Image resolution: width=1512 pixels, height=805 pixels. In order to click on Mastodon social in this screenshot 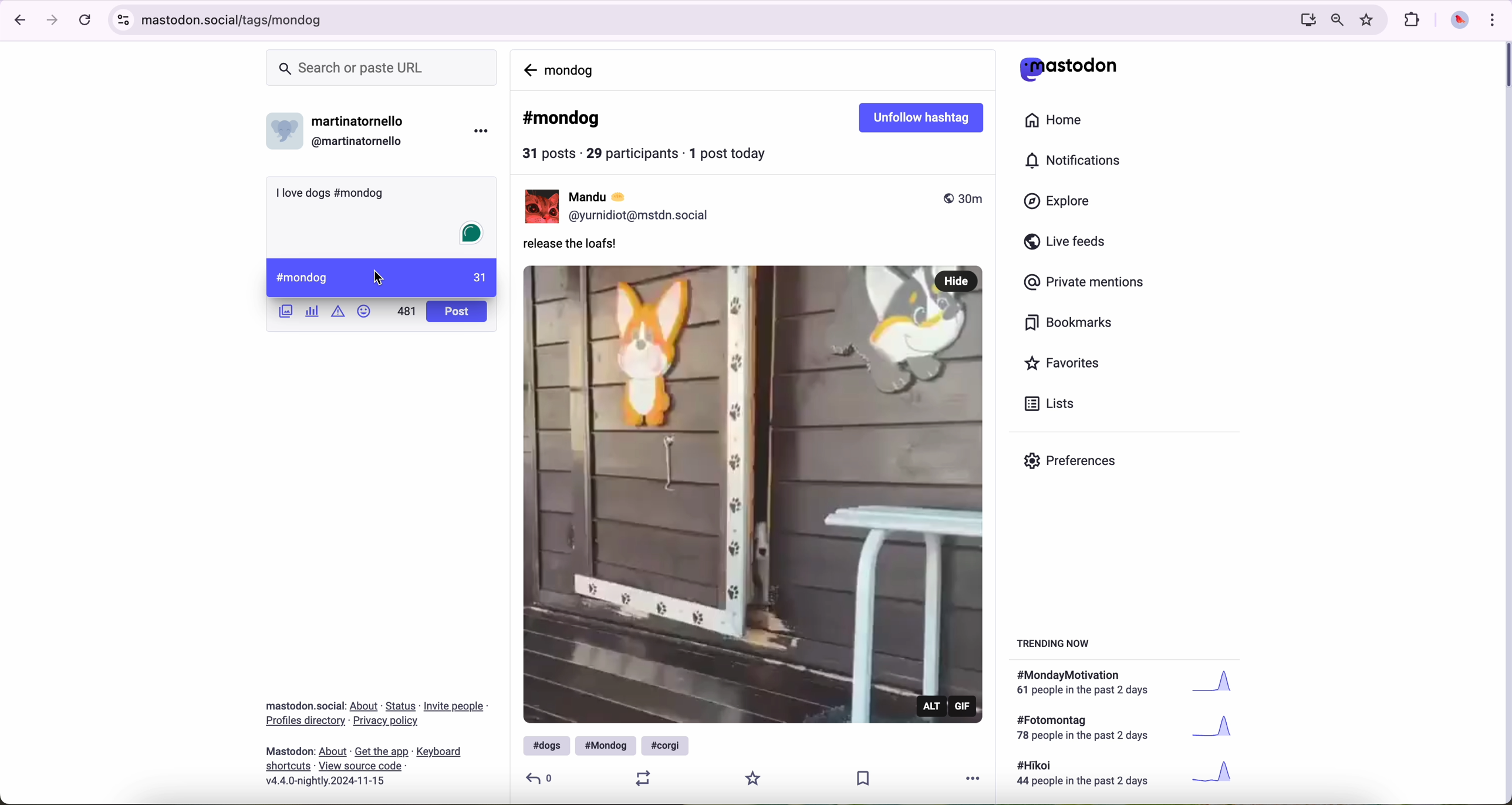, I will do `click(302, 706)`.